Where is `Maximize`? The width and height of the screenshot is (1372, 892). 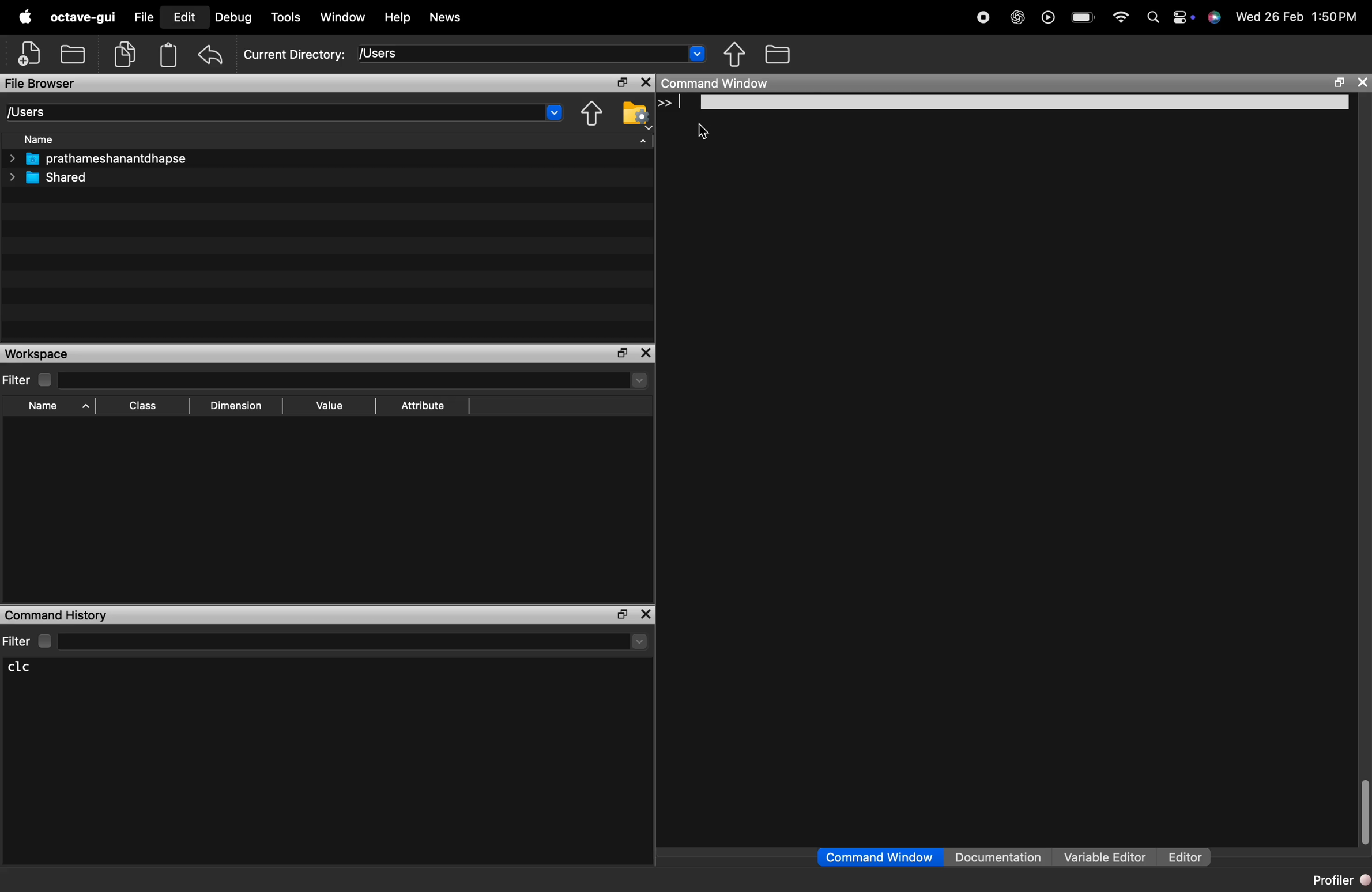
Maximize is located at coordinates (623, 84).